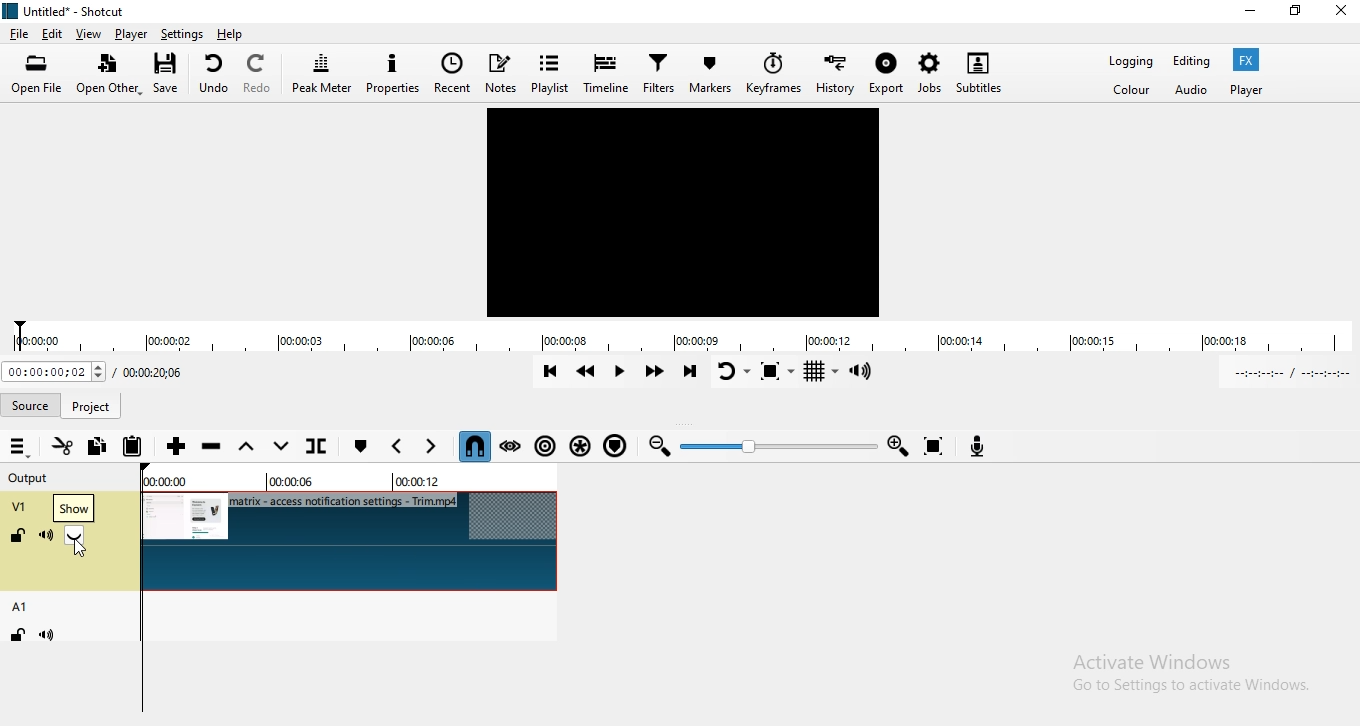  I want to click on Player, so click(131, 35).